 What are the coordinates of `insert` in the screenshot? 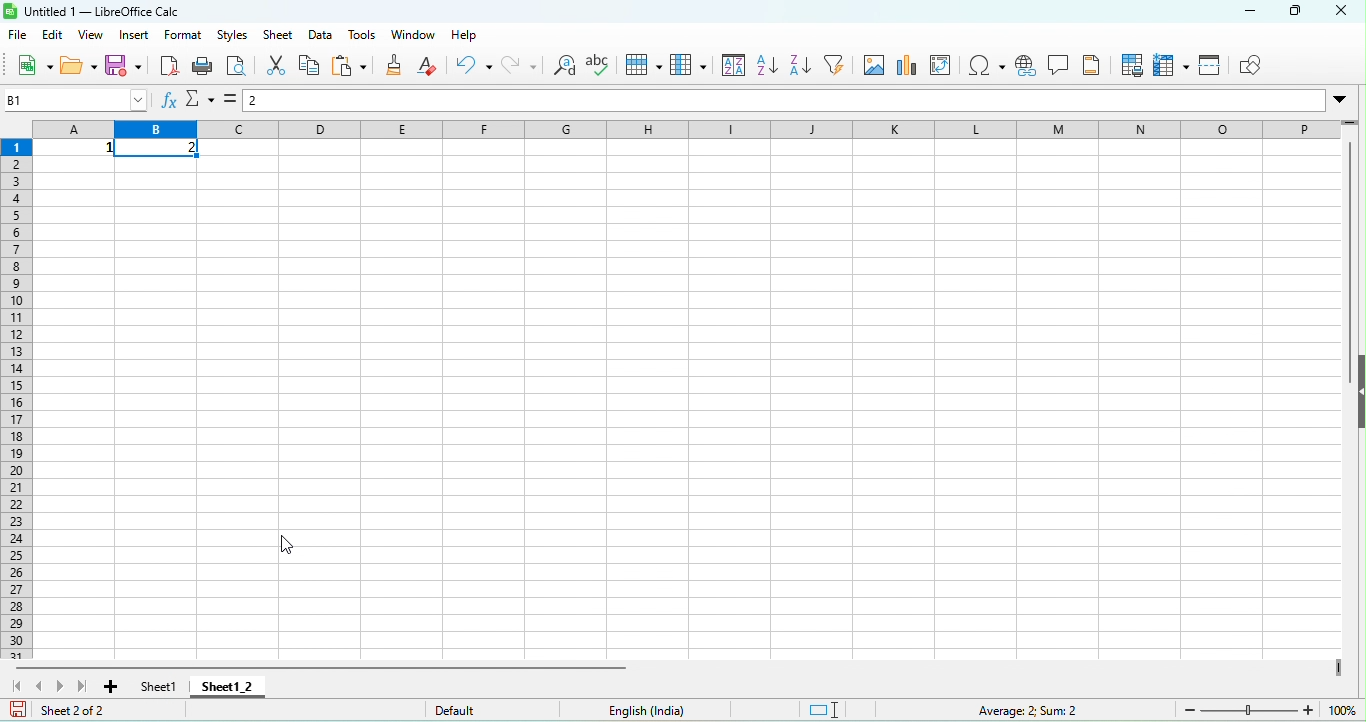 It's located at (134, 34).